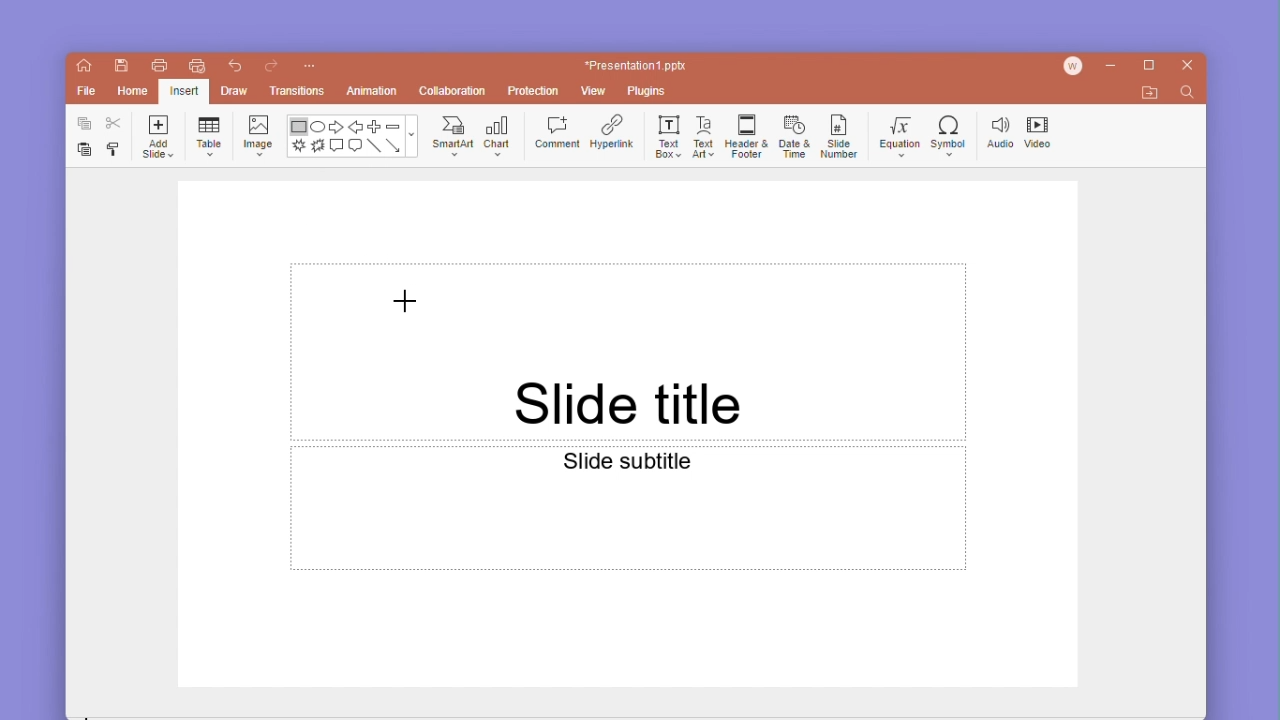  What do you see at coordinates (665, 135) in the screenshot?
I see `text box` at bounding box center [665, 135].